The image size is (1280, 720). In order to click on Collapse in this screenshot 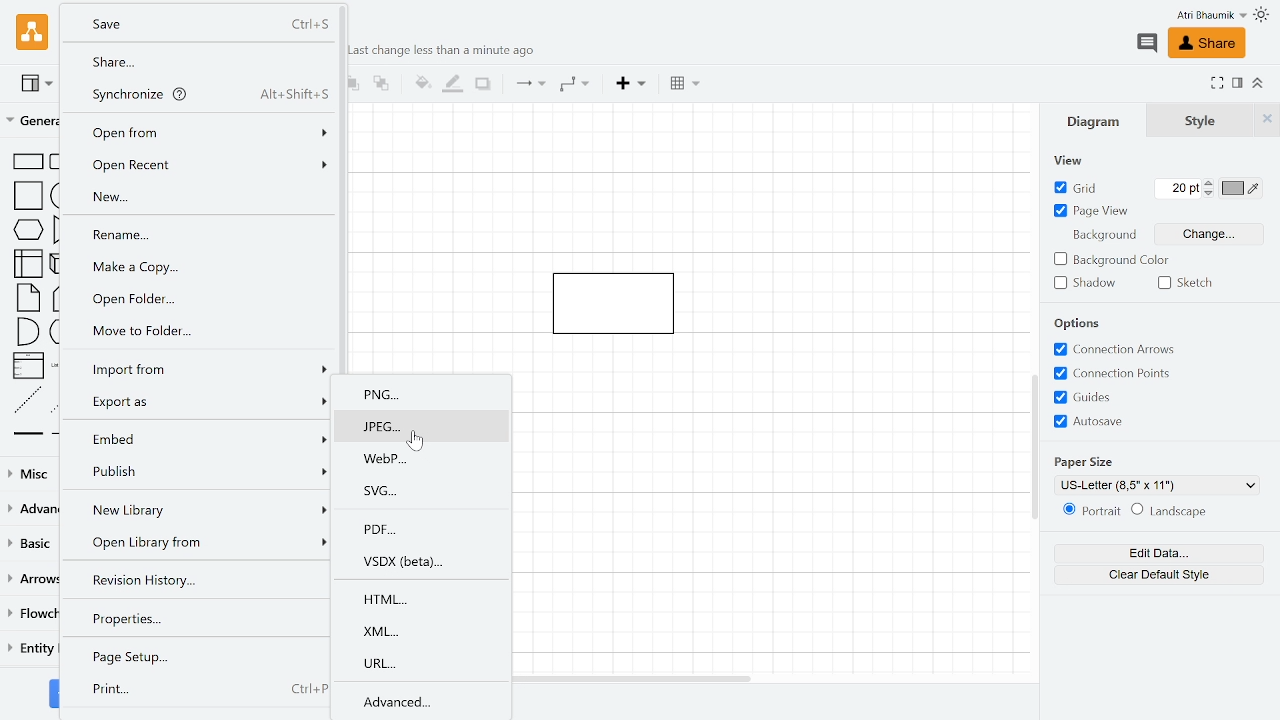, I will do `click(1258, 84)`.